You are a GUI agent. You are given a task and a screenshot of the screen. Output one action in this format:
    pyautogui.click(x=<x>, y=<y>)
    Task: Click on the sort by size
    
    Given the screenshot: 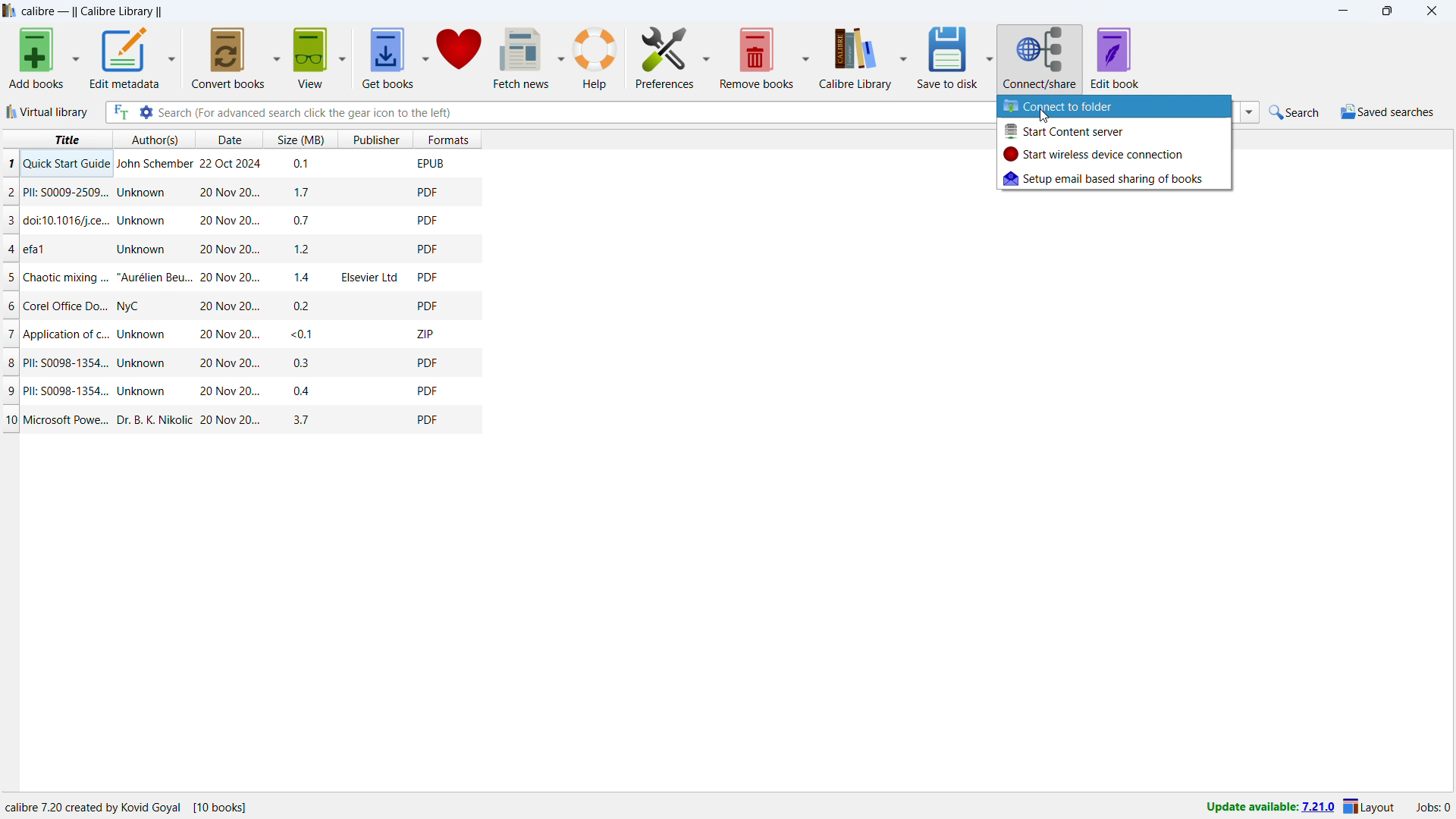 What is the action you would take?
    pyautogui.click(x=298, y=138)
    